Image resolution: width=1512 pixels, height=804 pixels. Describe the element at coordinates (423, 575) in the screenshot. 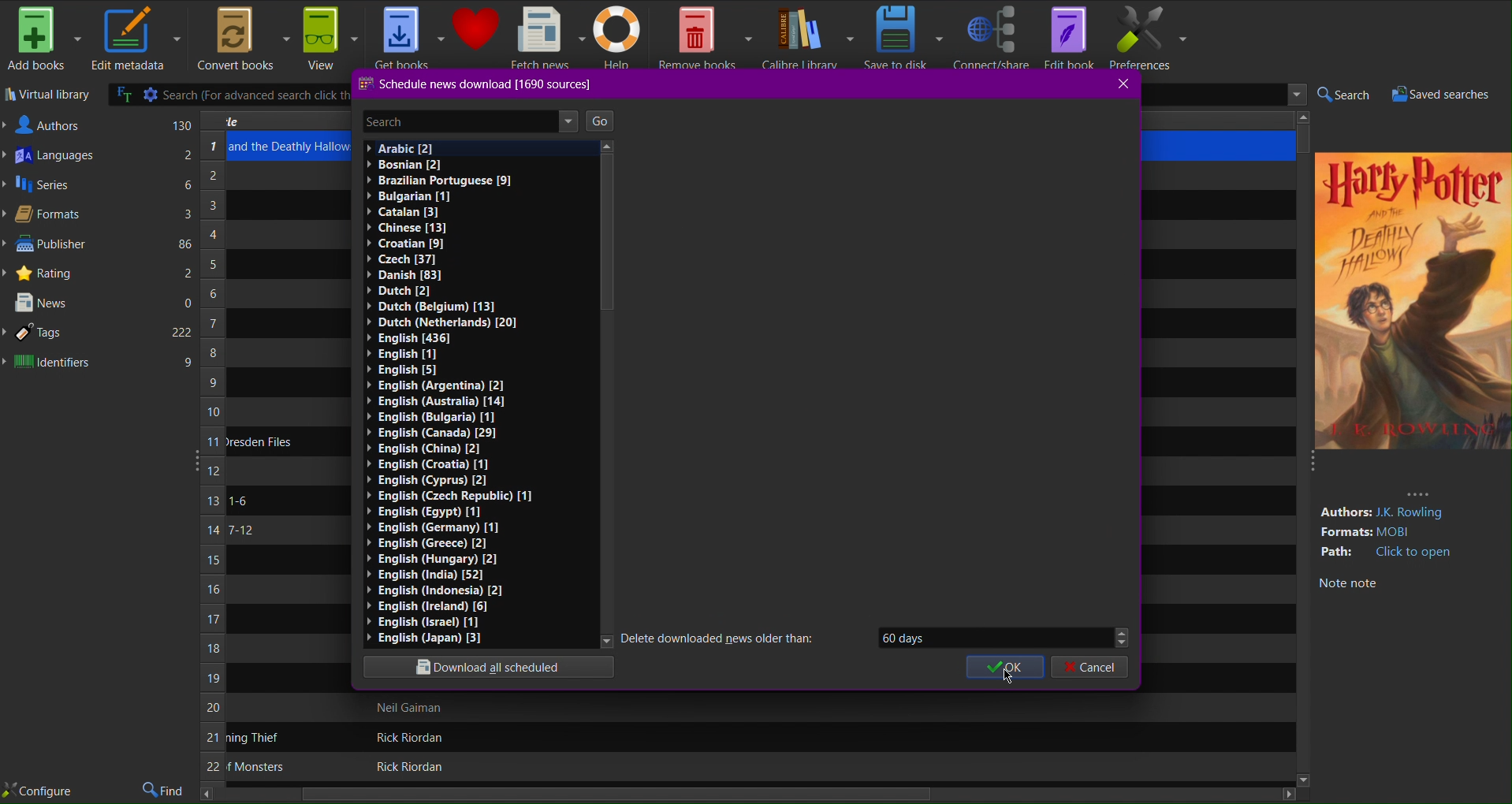

I see `English (India) [52]` at that location.